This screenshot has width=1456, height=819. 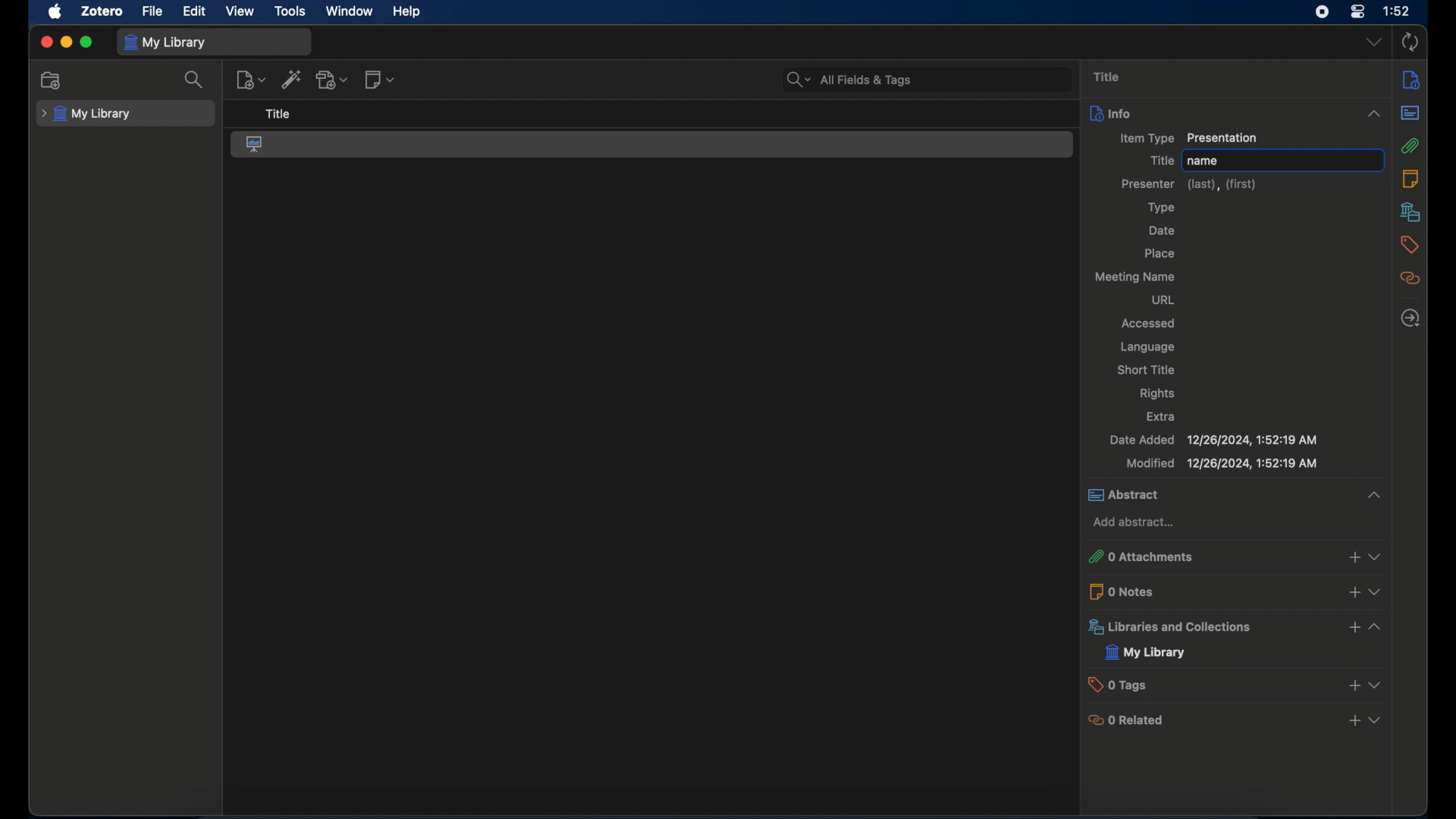 What do you see at coordinates (103, 11) in the screenshot?
I see `zotero` at bounding box center [103, 11].